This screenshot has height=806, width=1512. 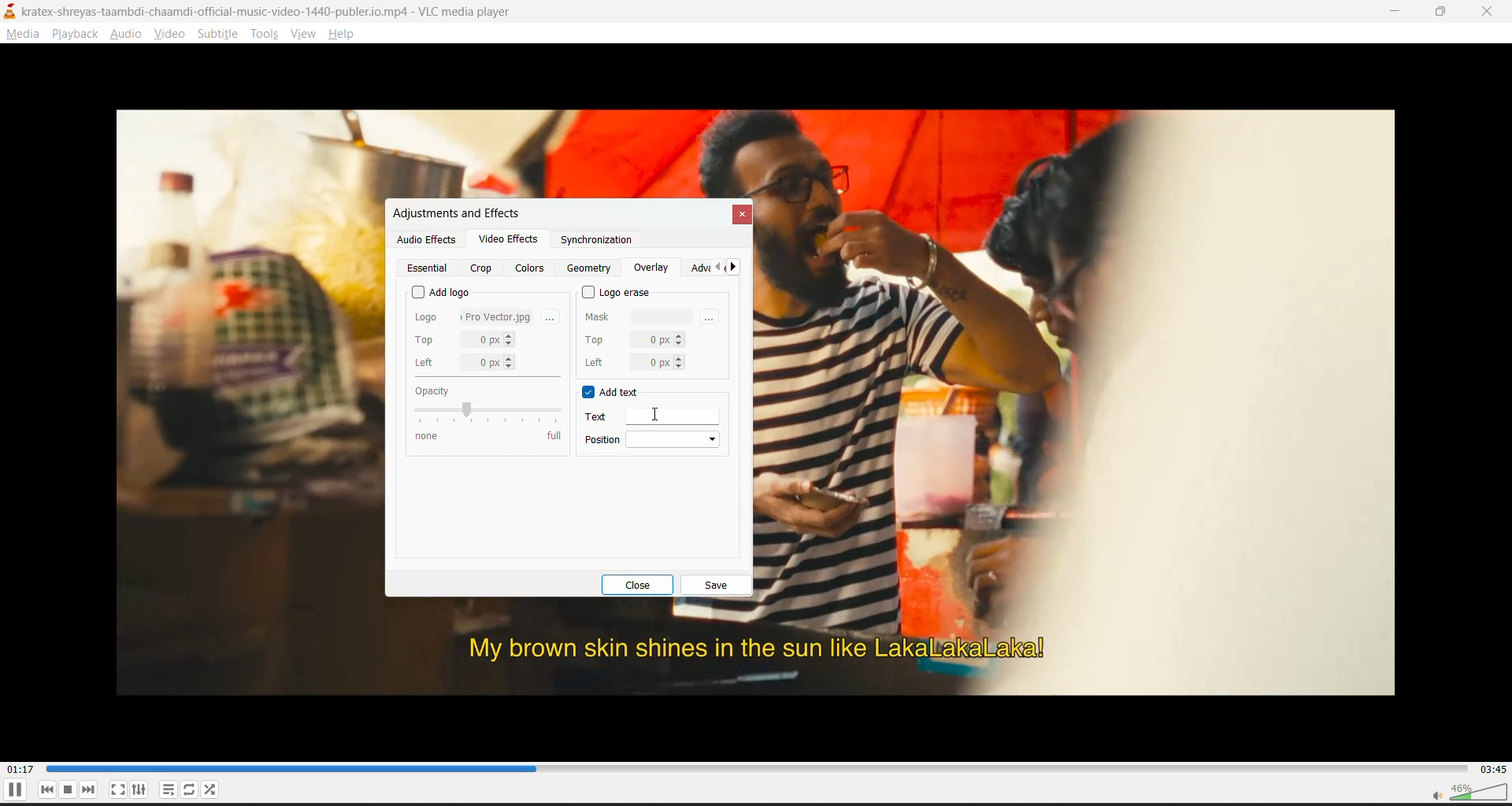 I want to click on crop, so click(x=481, y=268).